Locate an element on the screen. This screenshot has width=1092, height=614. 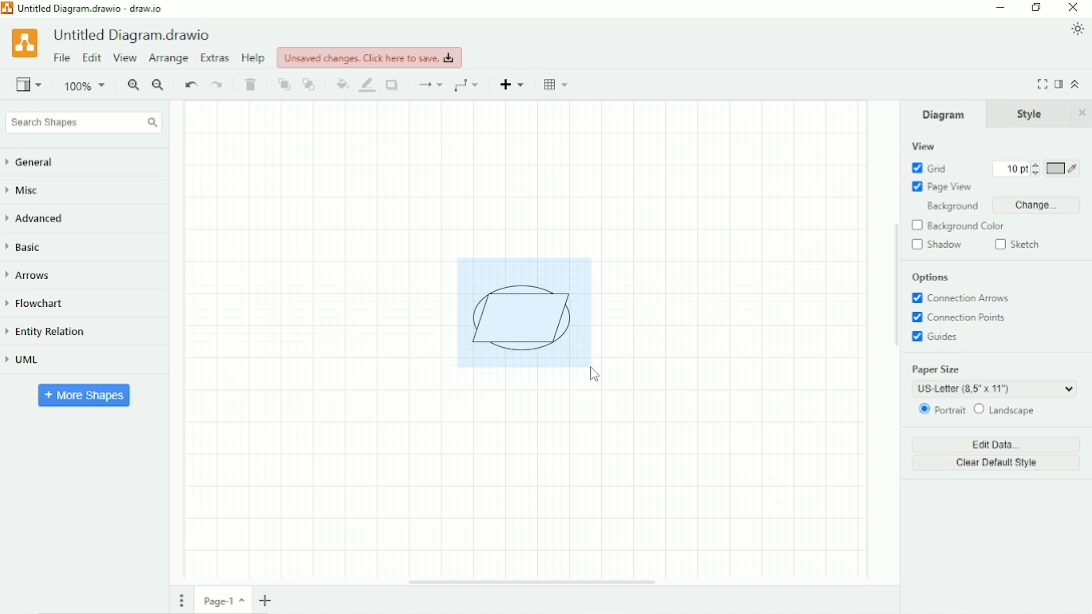
Zoom in is located at coordinates (133, 86).